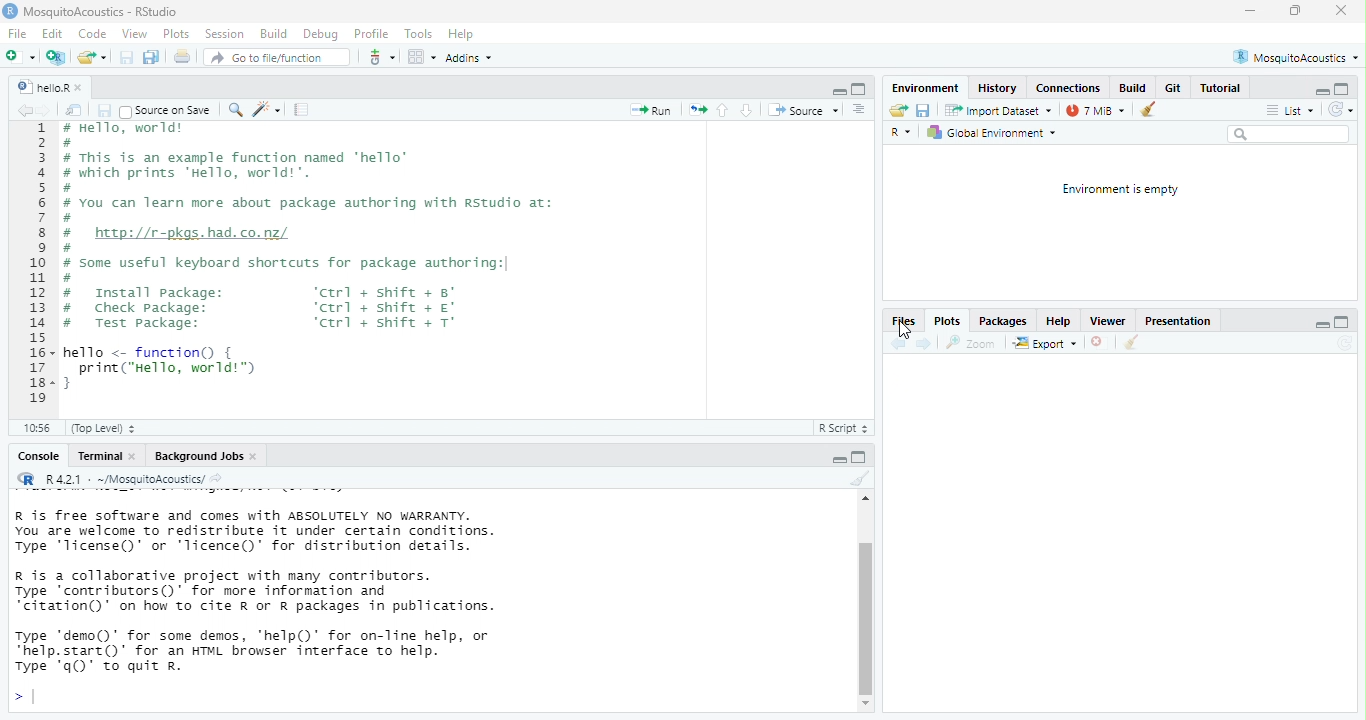 The image size is (1366, 720). I want to click on Help, so click(1057, 322).